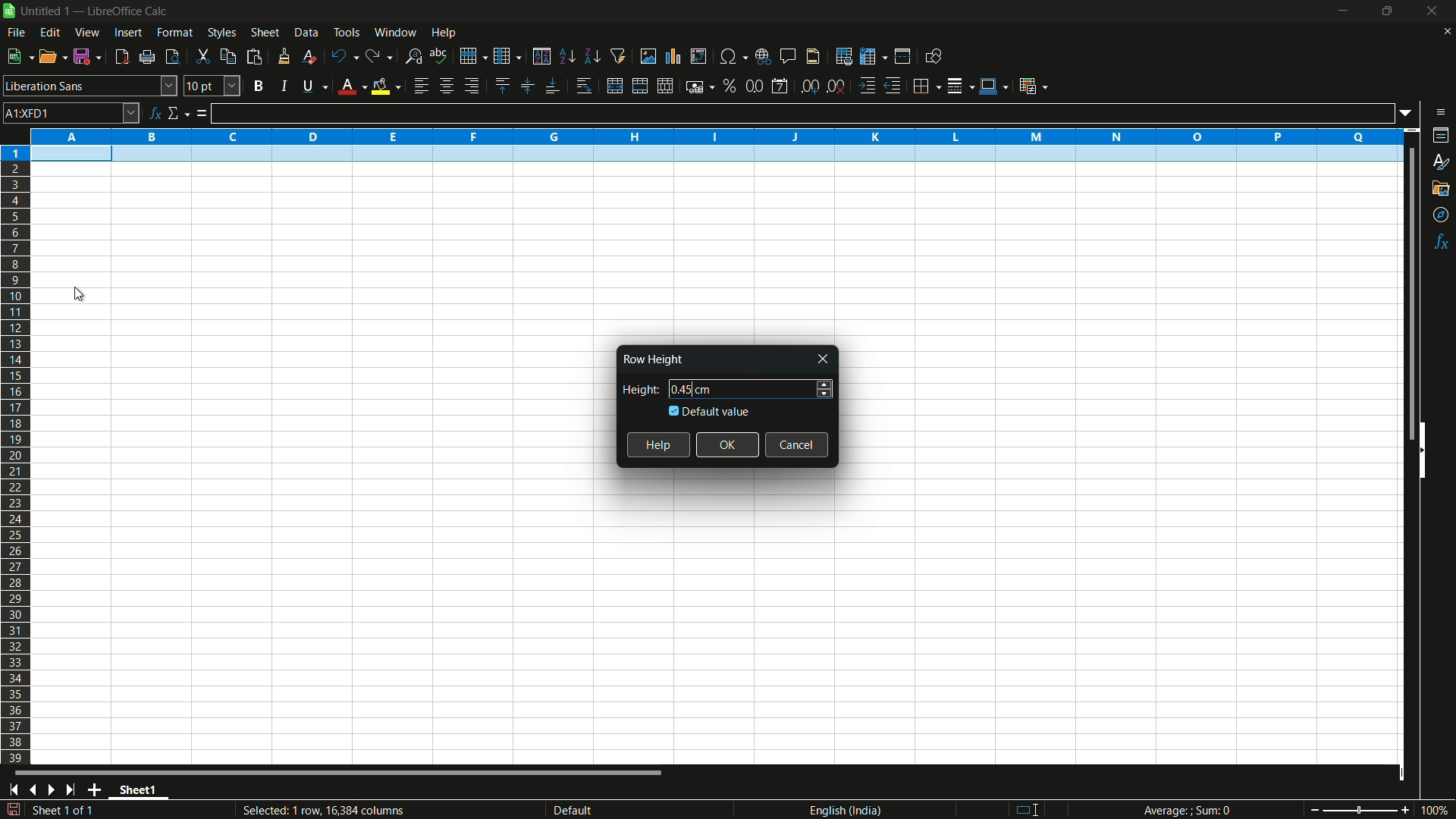 The height and width of the screenshot is (819, 1456). What do you see at coordinates (700, 86) in the screenshot?
I see `format as currency` at bounding box center [700, 86].